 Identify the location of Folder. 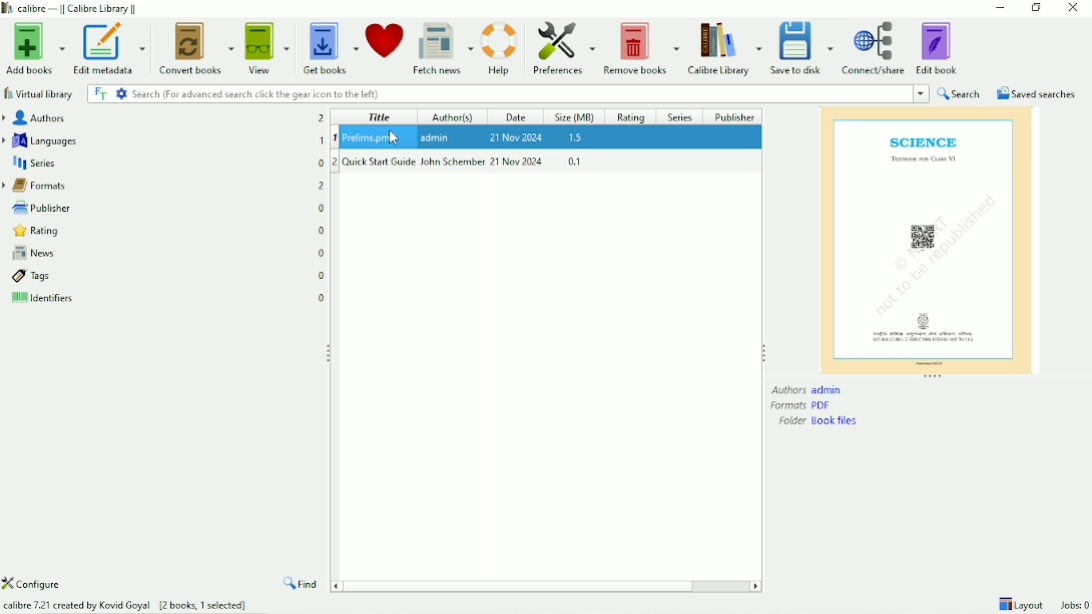
(820, 421).